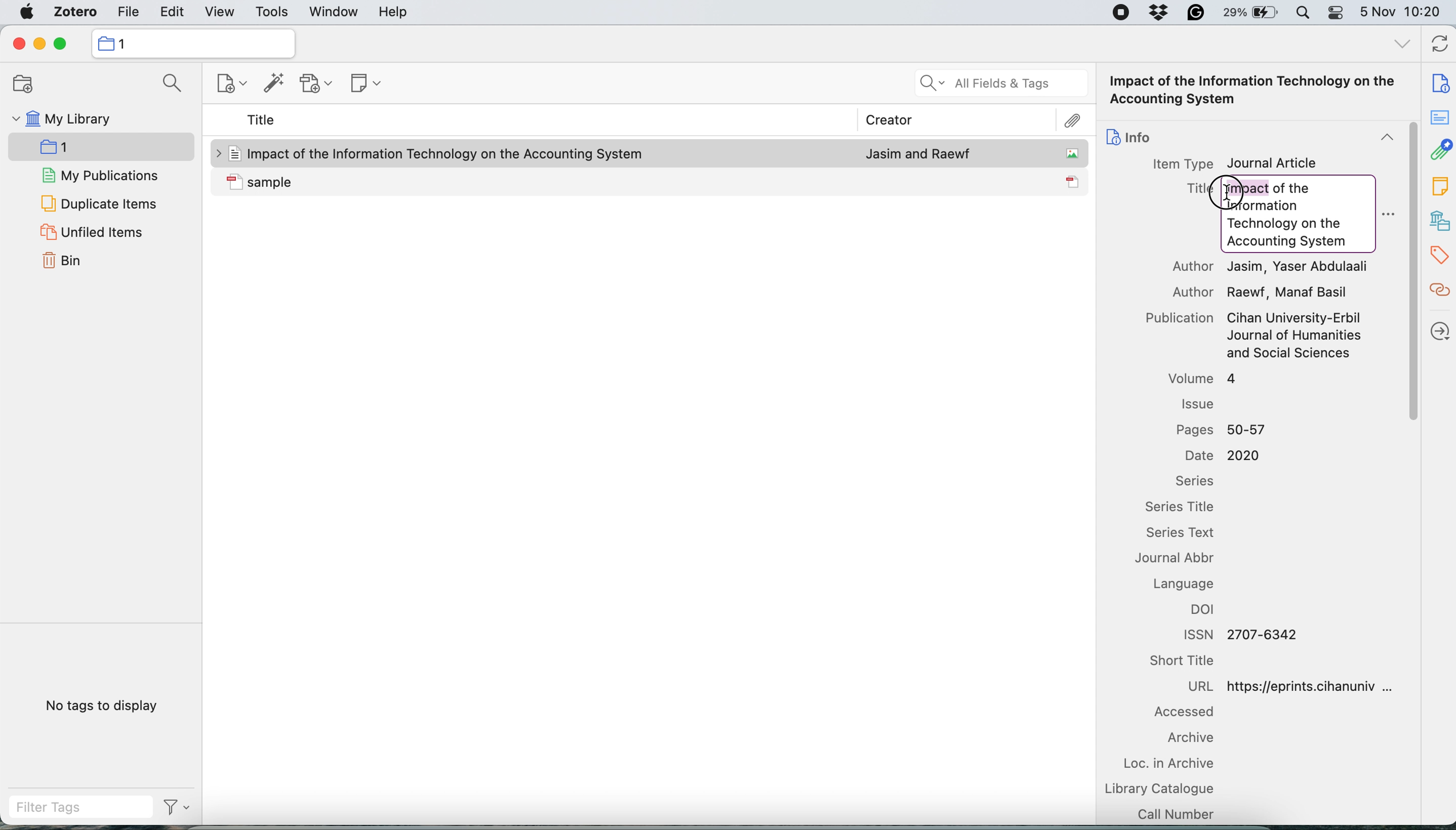 This screenshot has width=1456, height=830. I want to click on loc in archive, so click(1175, 762).